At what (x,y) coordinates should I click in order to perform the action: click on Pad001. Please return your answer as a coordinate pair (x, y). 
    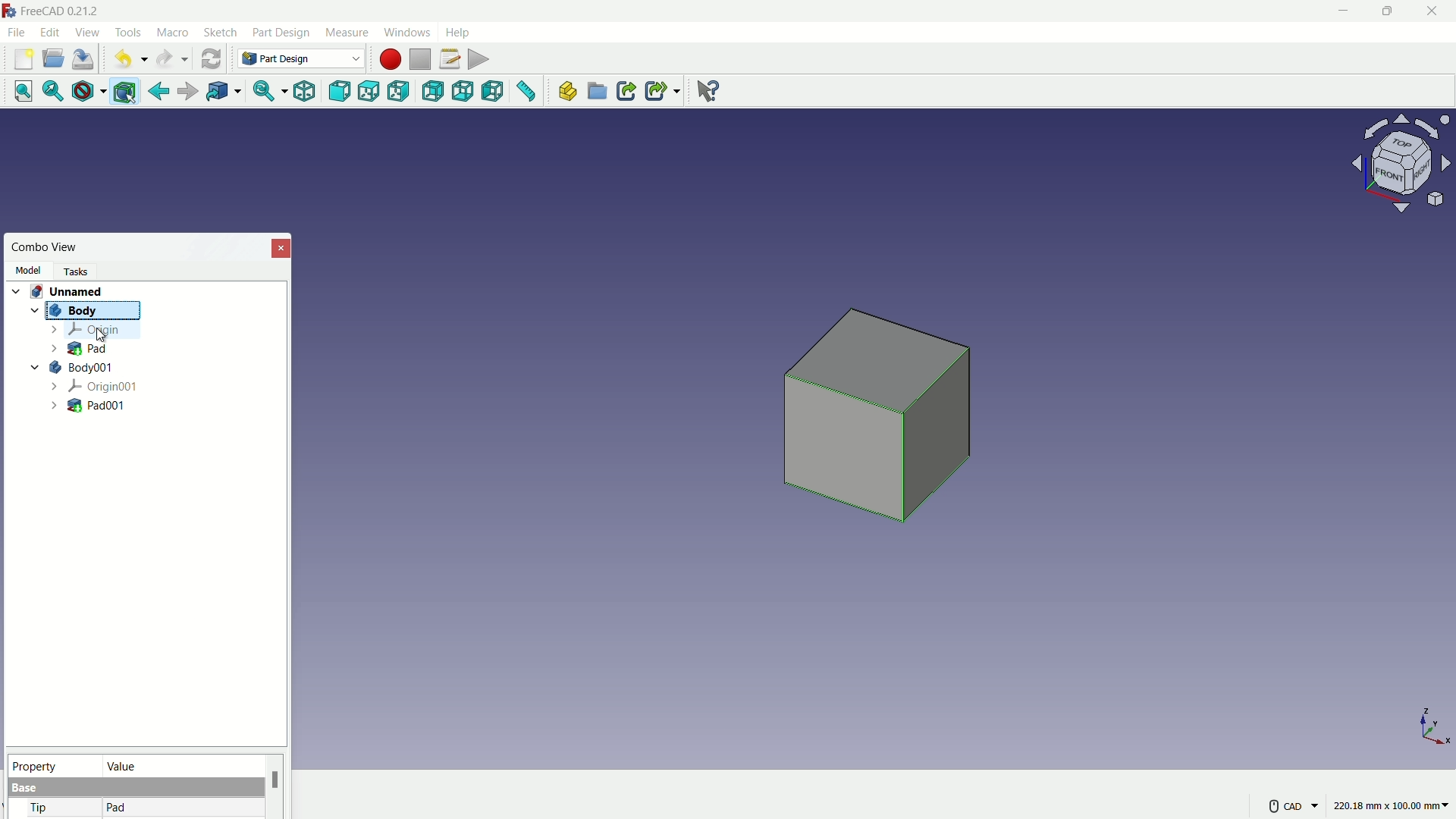
    Looking at the image, I should click on (89, 406).